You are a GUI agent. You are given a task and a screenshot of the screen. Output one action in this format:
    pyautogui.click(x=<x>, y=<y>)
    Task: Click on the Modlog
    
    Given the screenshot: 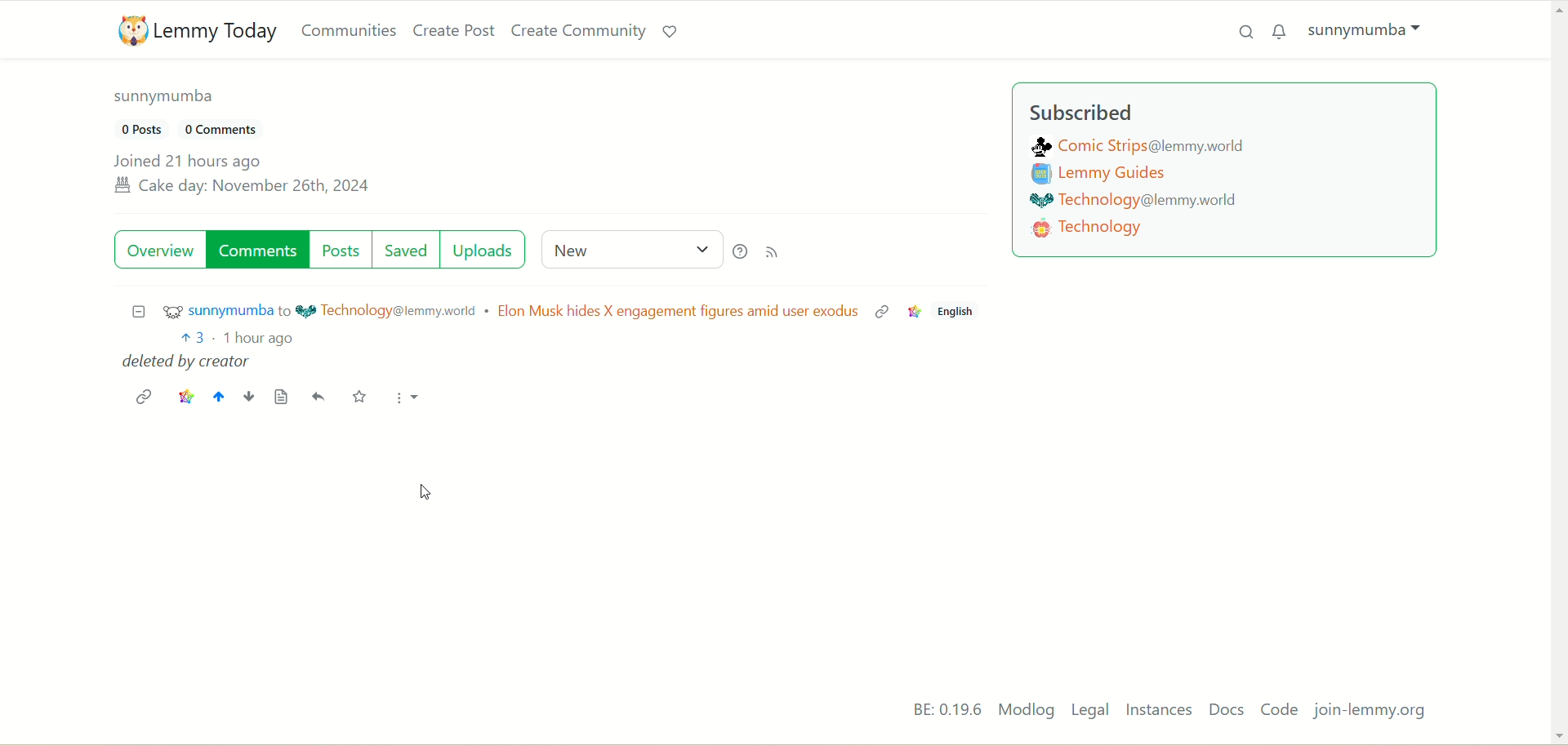 What is the action you would take?
    pyautogui.click(x=1024, y=711)
    